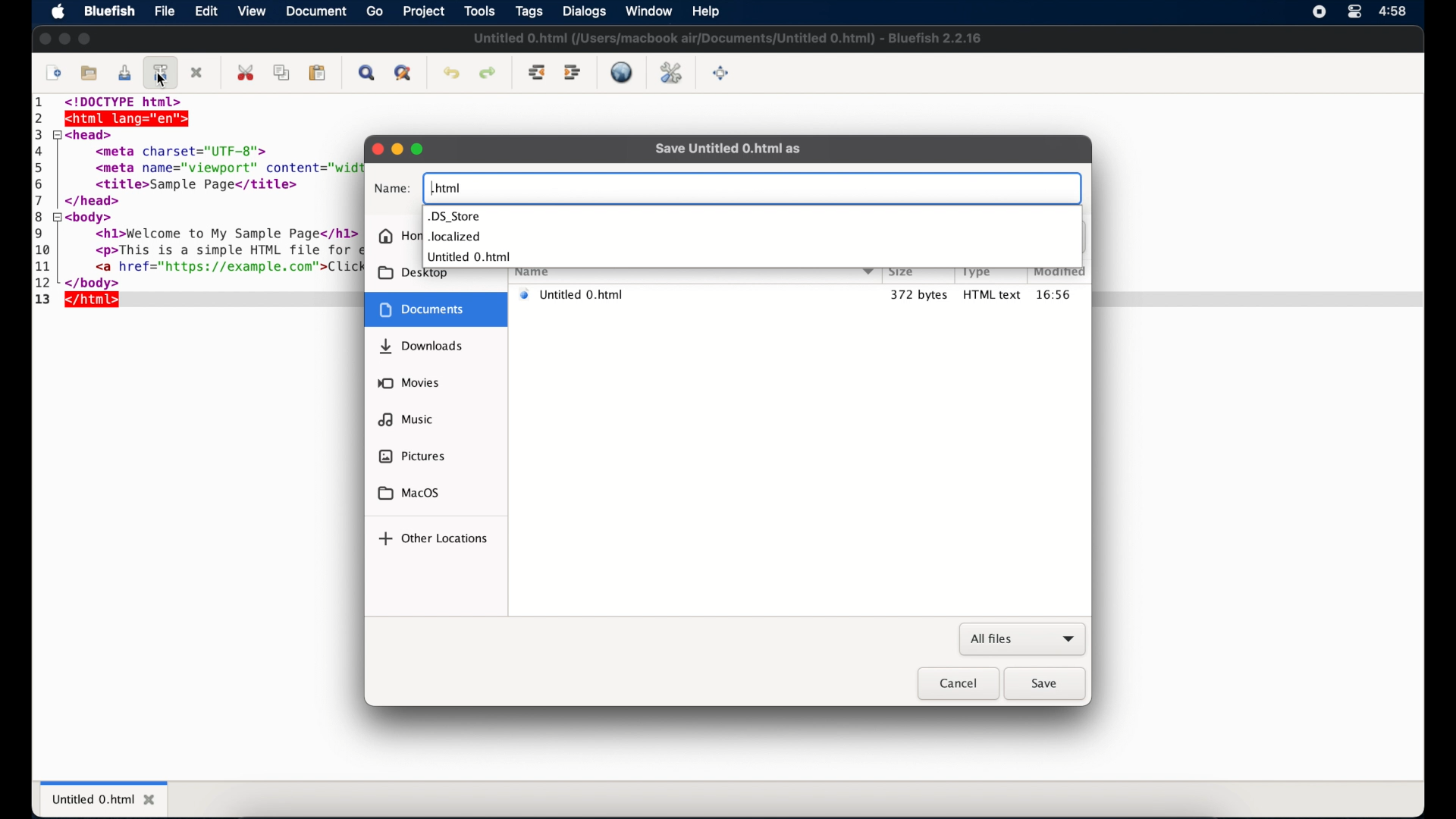 The image size is (1456, 819). What do you see at coordinates (40, 150) in the screenshot?
I see `4` at bounding box center [40, 150].